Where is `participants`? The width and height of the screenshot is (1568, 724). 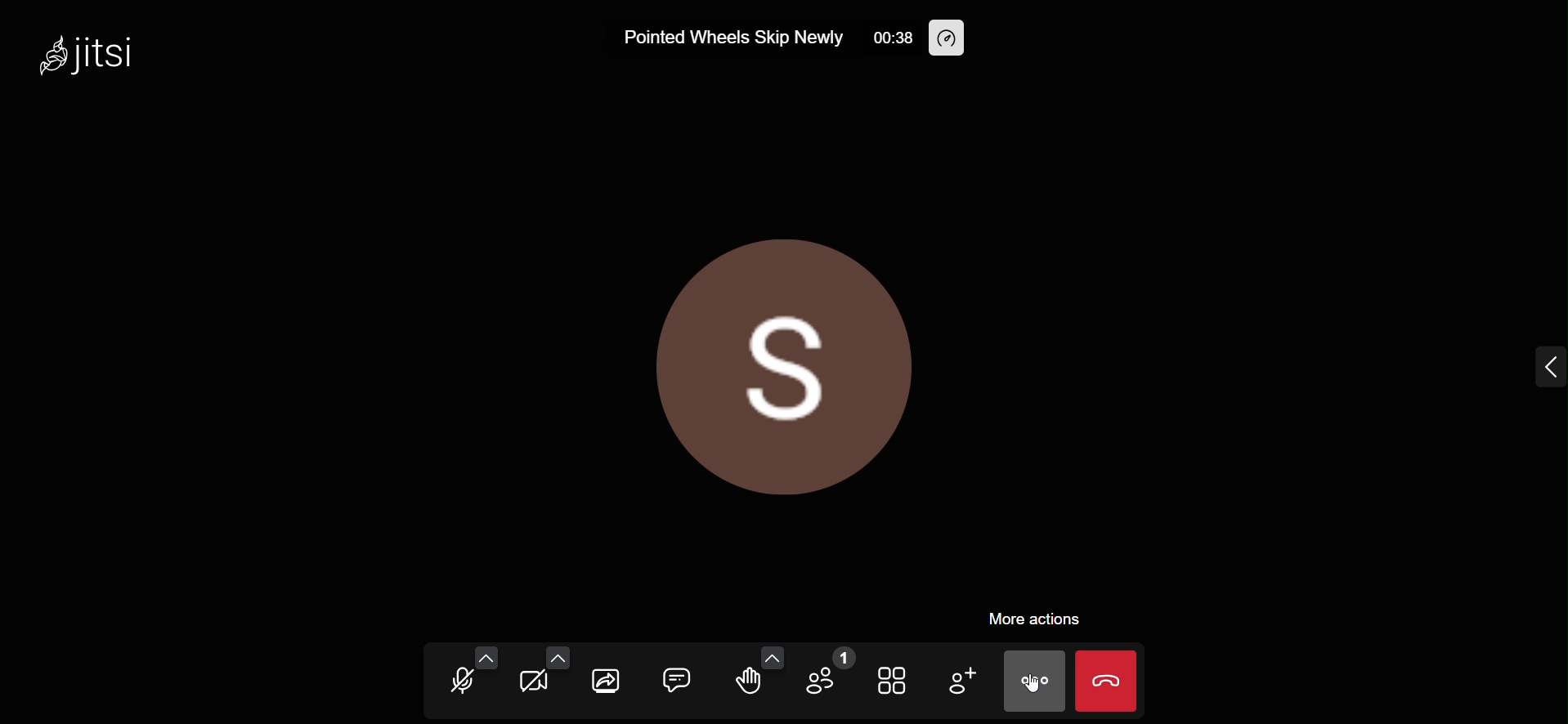
participants is located at coordinates (826, 678).